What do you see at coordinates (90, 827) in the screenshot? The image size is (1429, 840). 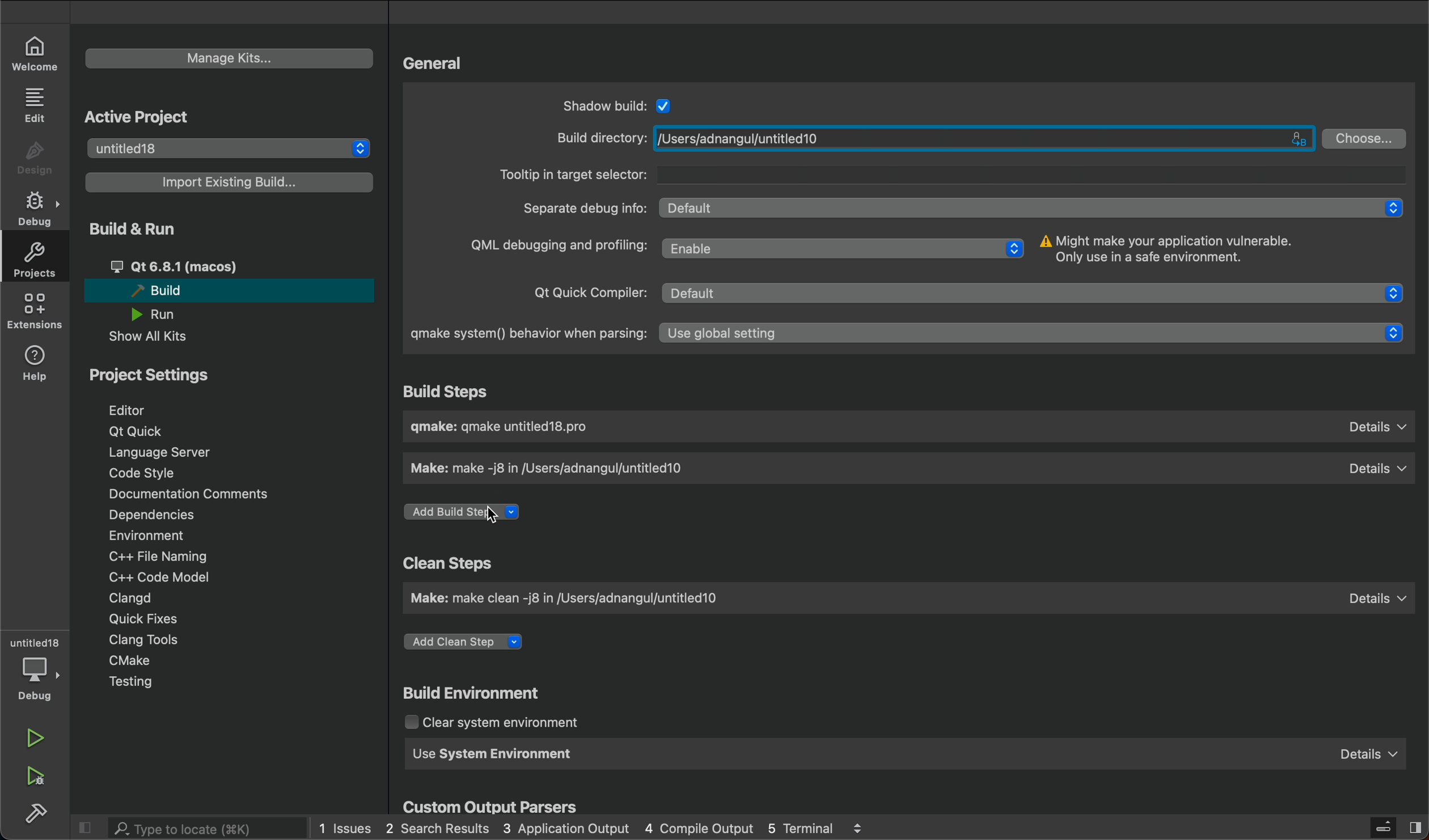 I see `close slidebar` at bounding box center [90, 827].